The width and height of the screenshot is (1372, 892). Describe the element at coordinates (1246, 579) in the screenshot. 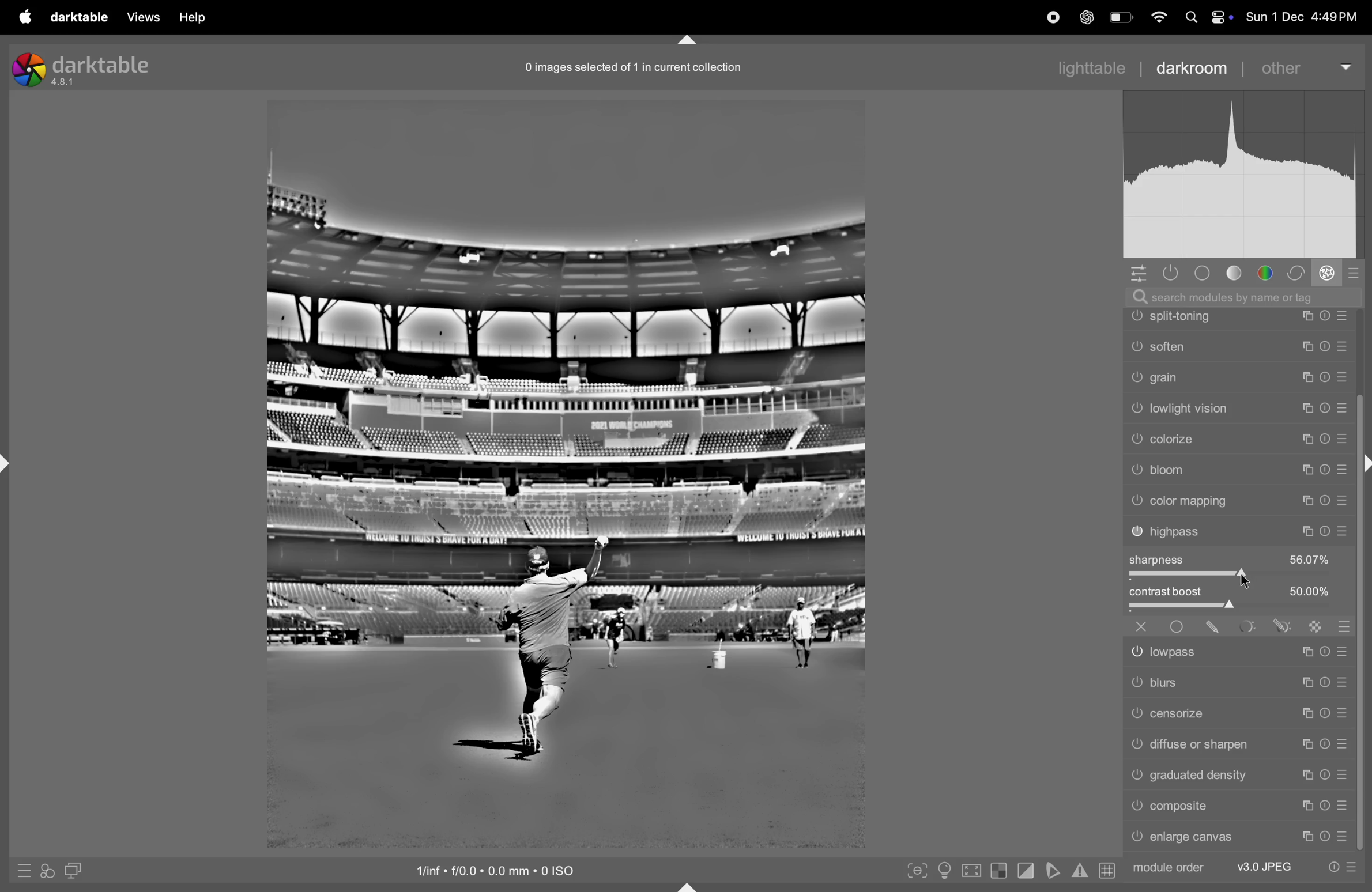

I see `cursor` at that location.